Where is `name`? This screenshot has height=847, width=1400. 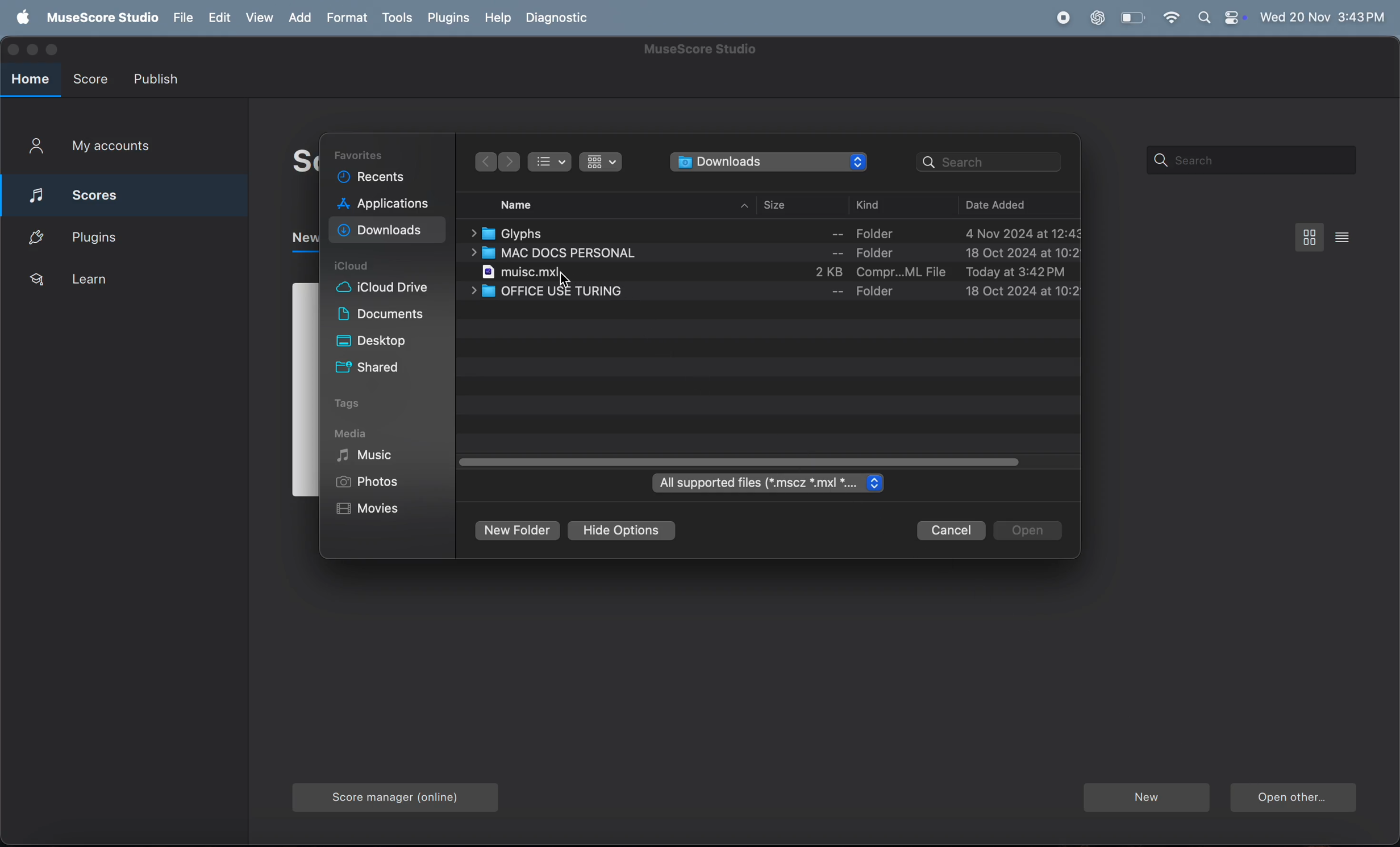 name is located at coordinates (520, 204).